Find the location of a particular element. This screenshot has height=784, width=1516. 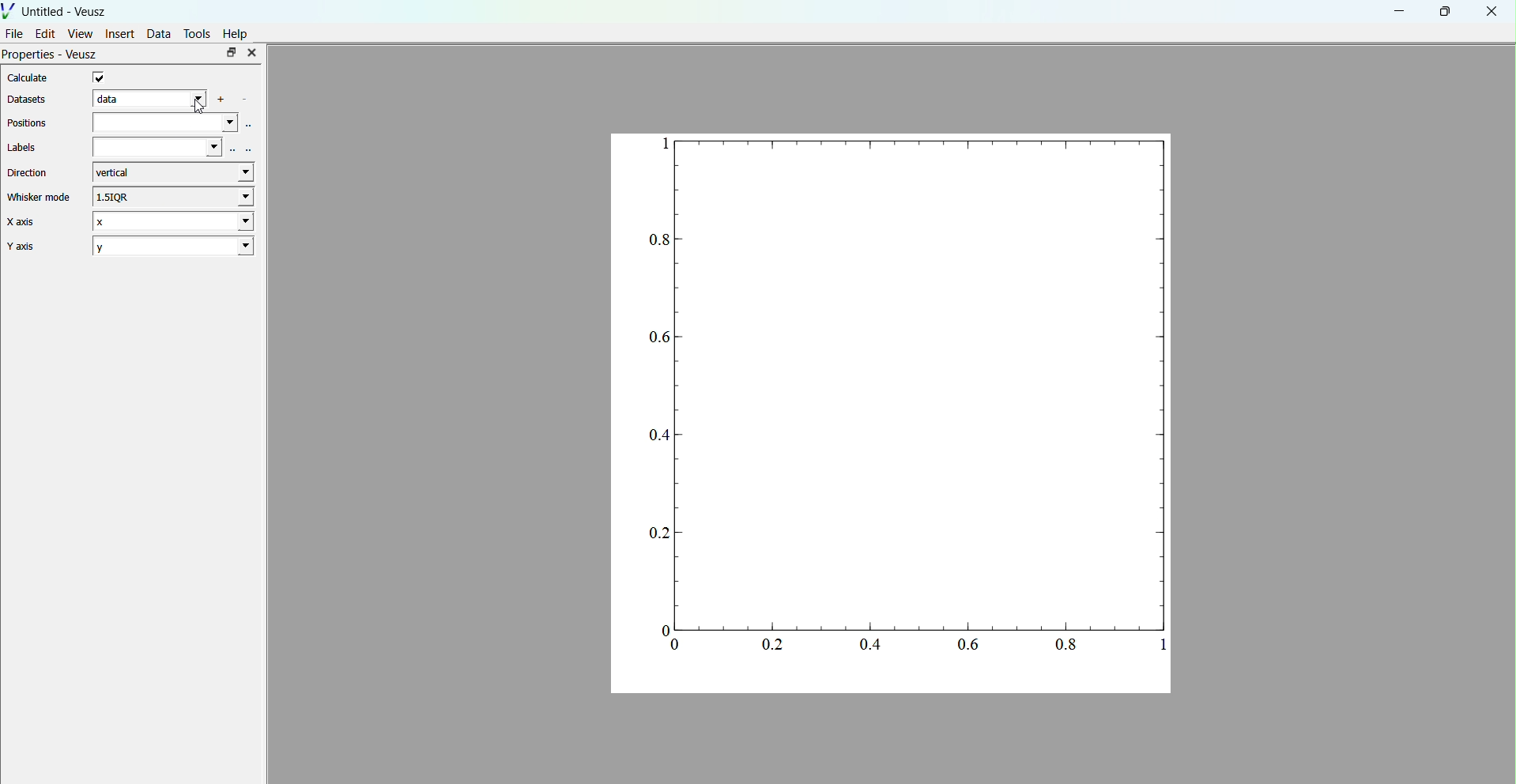

add is located at coordinates (224, 99).